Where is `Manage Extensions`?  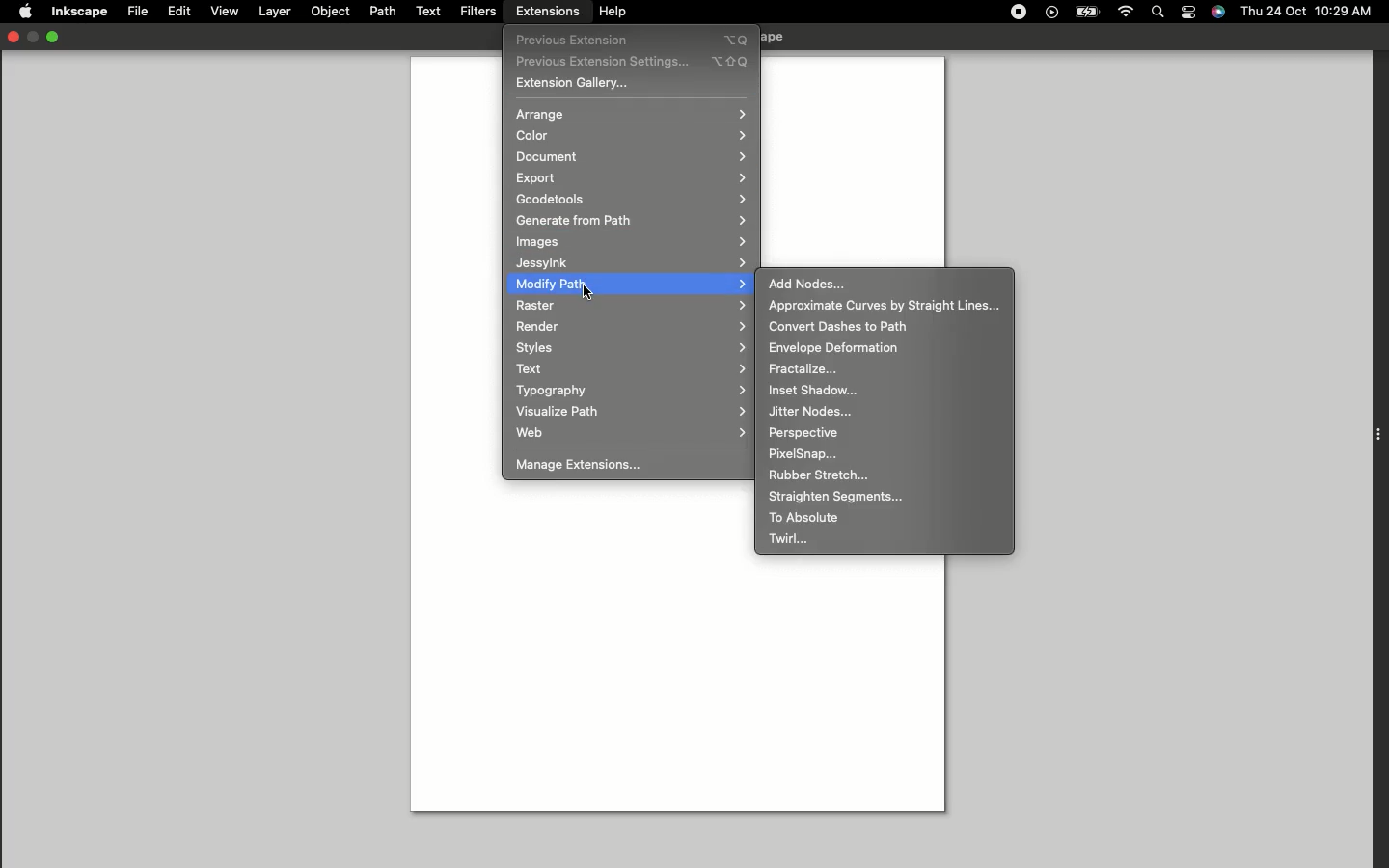 Manage Extensions is located at coordinates (582, 465).